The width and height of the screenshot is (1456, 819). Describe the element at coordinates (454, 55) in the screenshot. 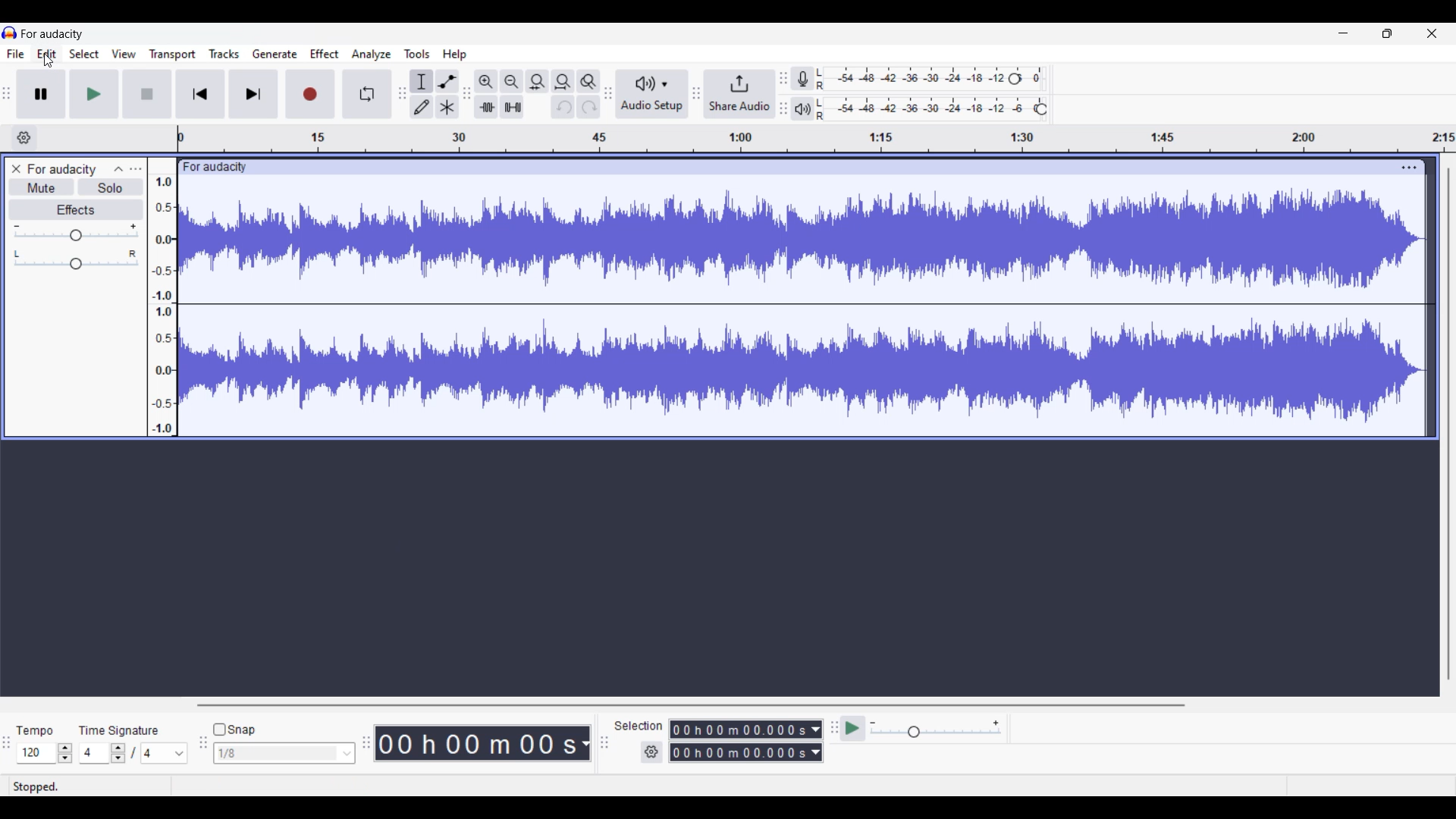

I see `Help menu` at that location.